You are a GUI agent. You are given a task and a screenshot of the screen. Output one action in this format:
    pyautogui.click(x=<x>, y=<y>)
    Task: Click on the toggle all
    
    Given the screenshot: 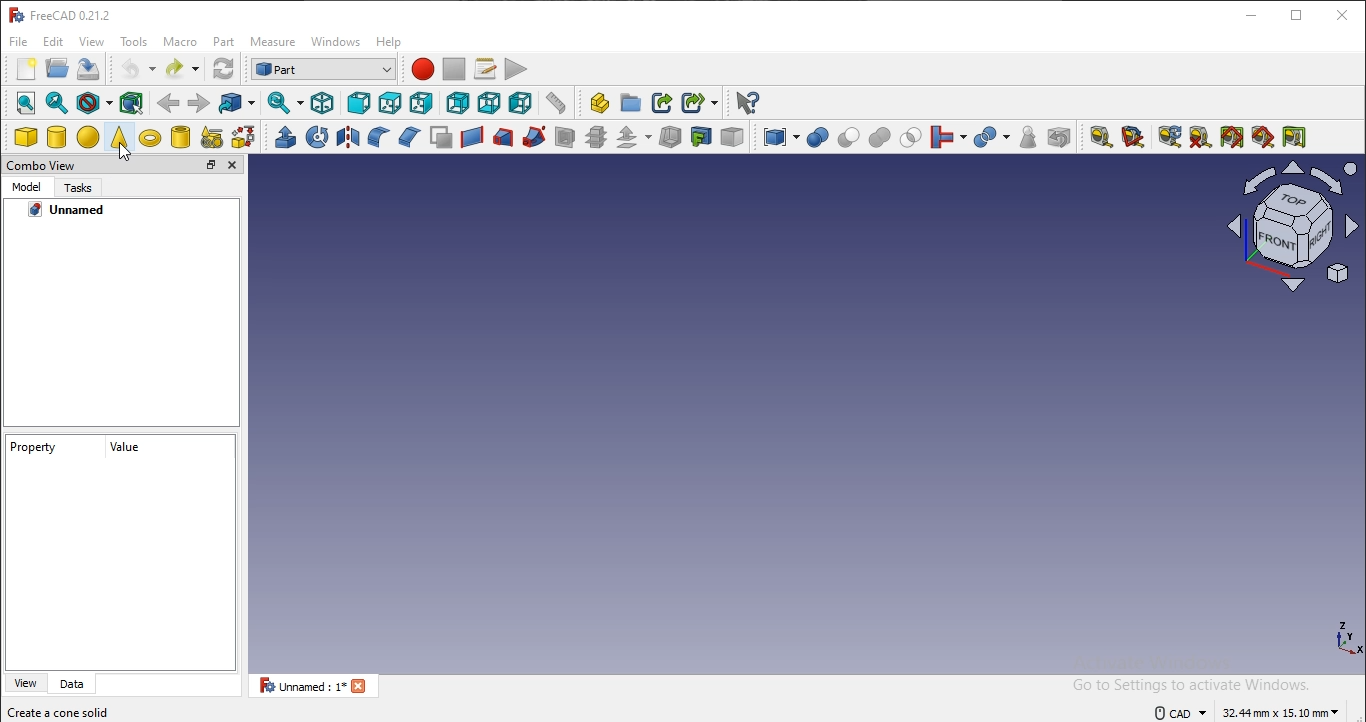 What is the action you would take?
    pyautogui.click(x=1232, y=136)
    